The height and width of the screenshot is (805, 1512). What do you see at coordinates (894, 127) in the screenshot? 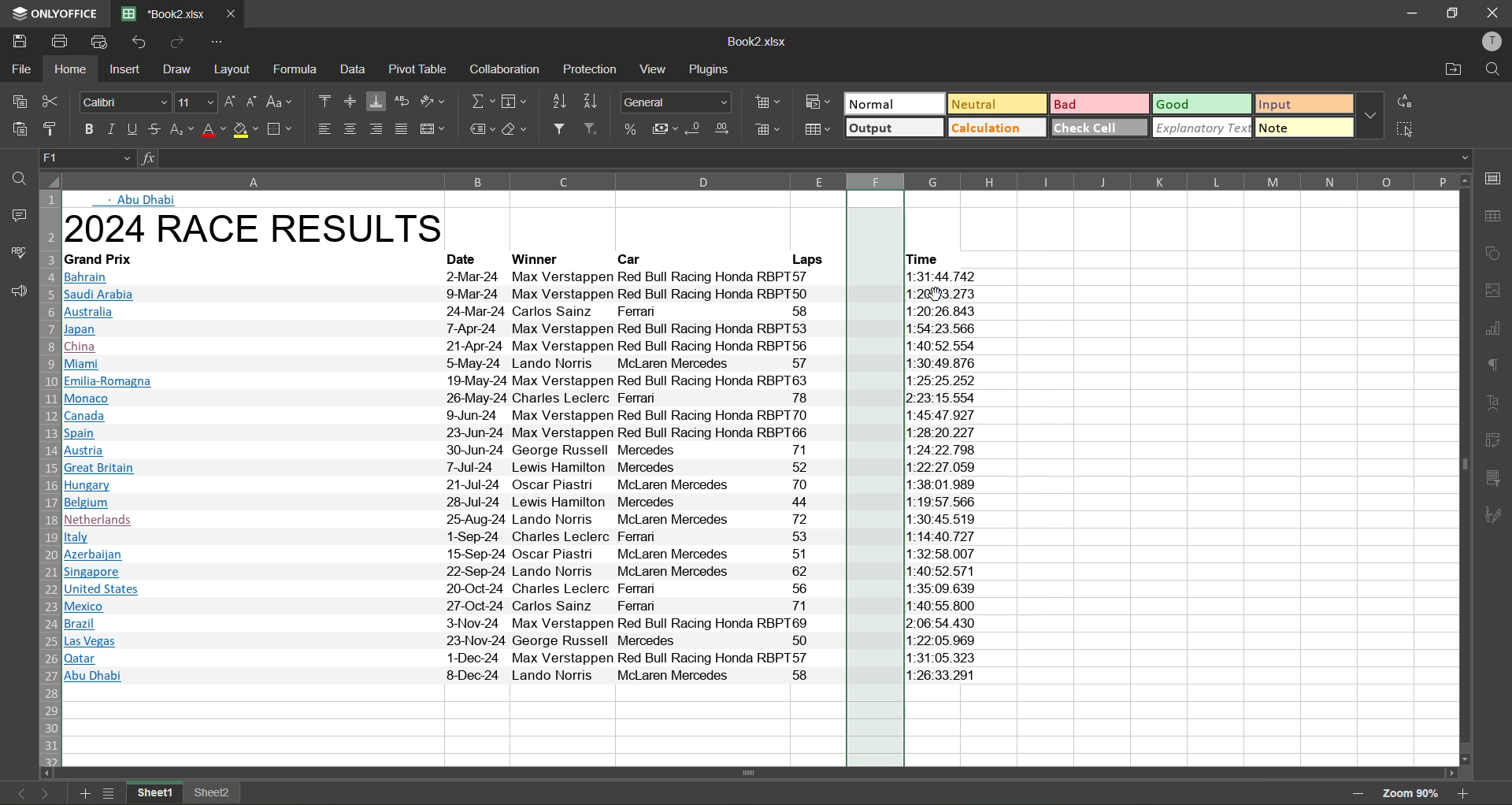
I see `output` at bounding box center [894, 127].